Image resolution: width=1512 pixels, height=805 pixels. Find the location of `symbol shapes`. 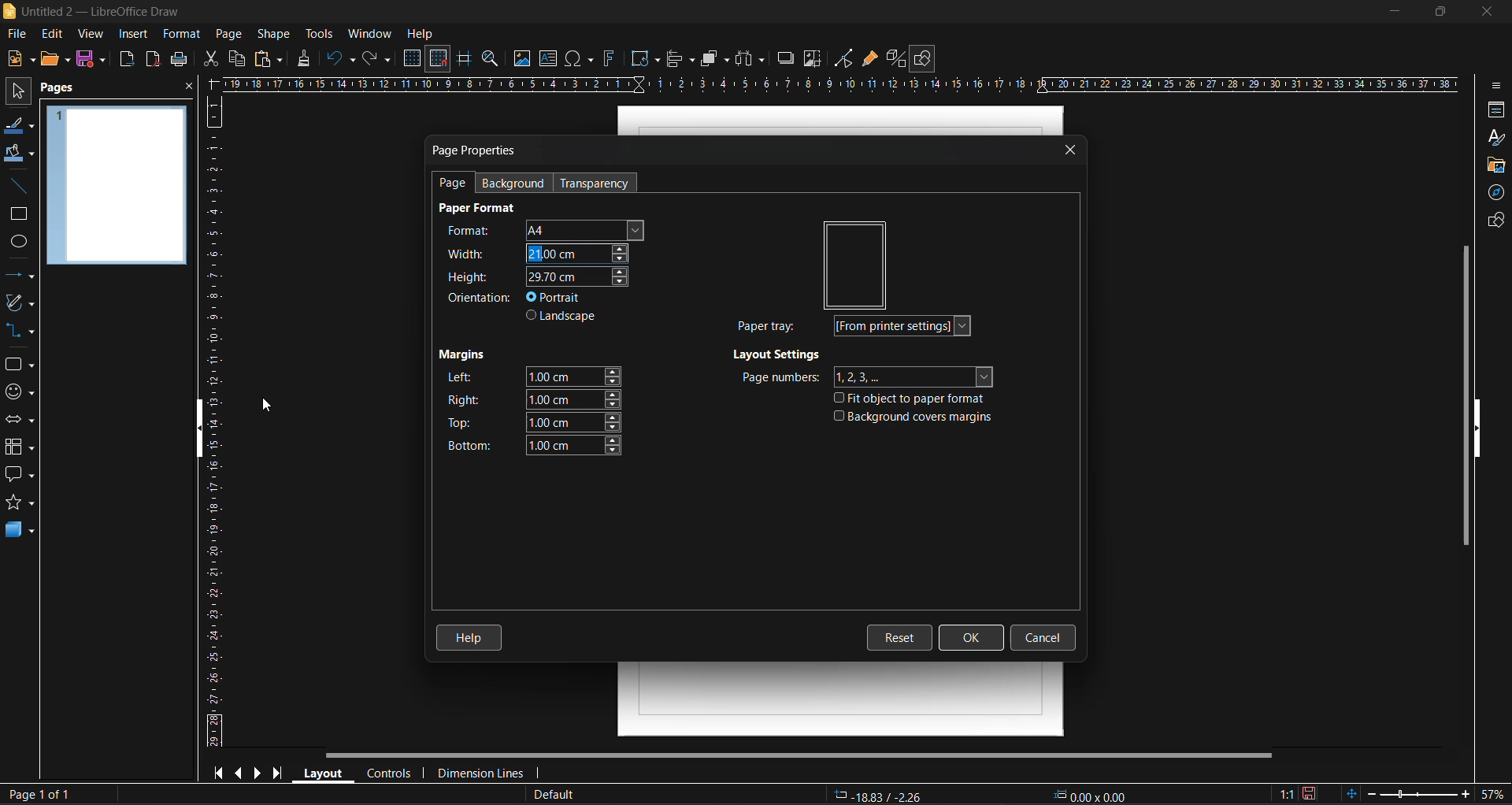

symbol shapes is located at coordinates (23, 394).